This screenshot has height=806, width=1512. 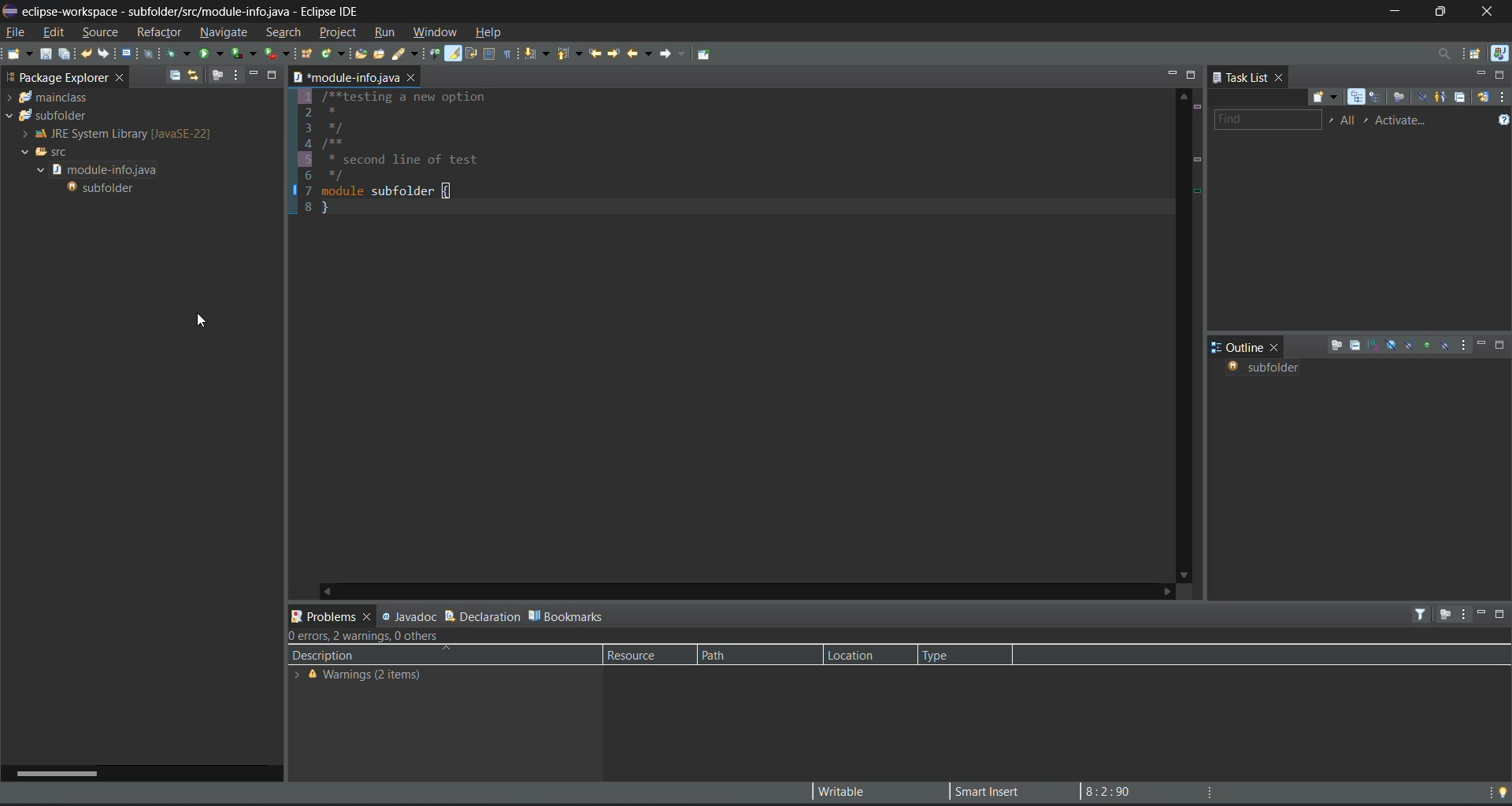 What do you see at coordinates (639, 655) in the screenshot?
I see `resource` at bounding box center [639, 655].